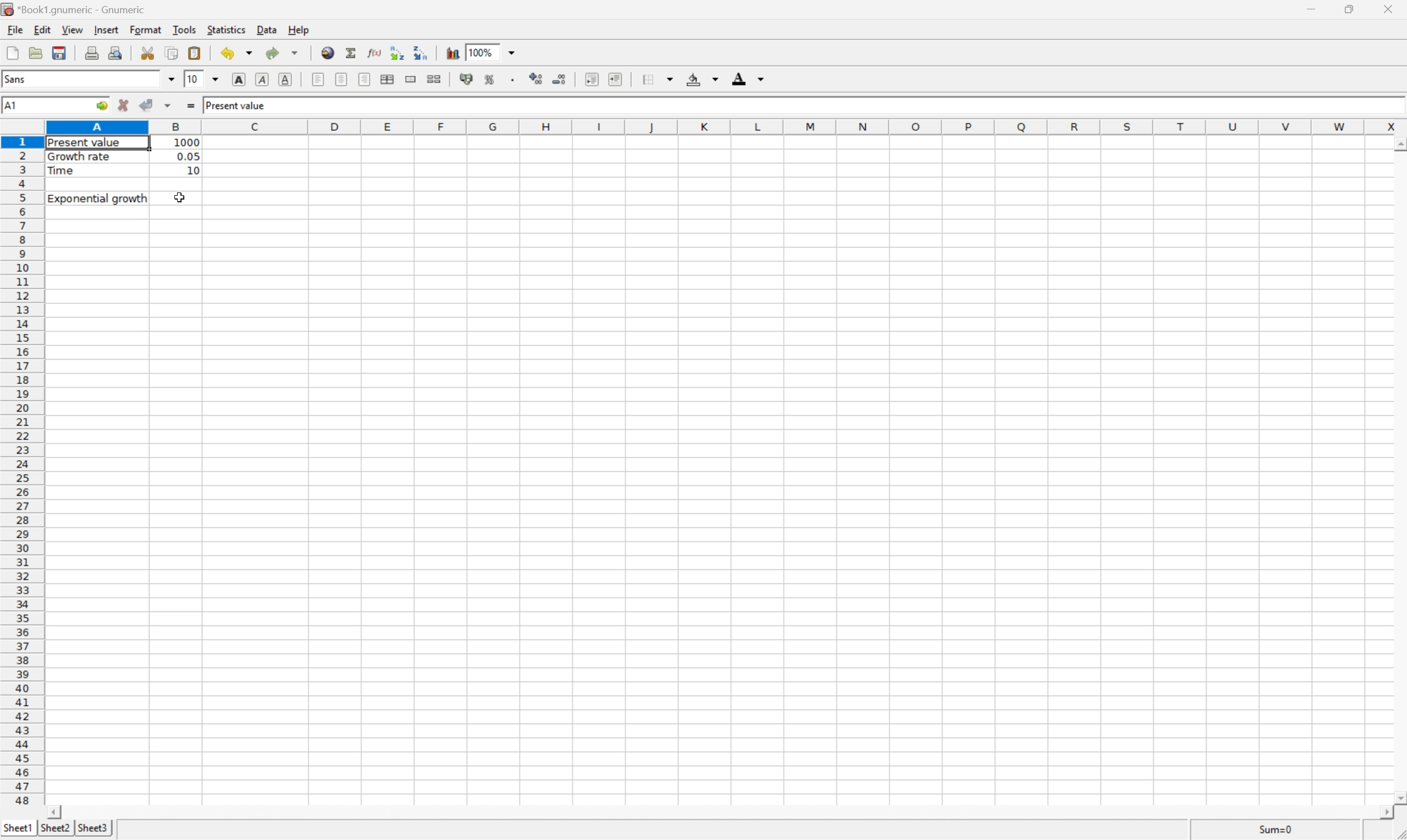 This screenshot has height=840, width=1407. Describe the element at coordinates (299, 30) in the screenshot. I see `Help` at that location.